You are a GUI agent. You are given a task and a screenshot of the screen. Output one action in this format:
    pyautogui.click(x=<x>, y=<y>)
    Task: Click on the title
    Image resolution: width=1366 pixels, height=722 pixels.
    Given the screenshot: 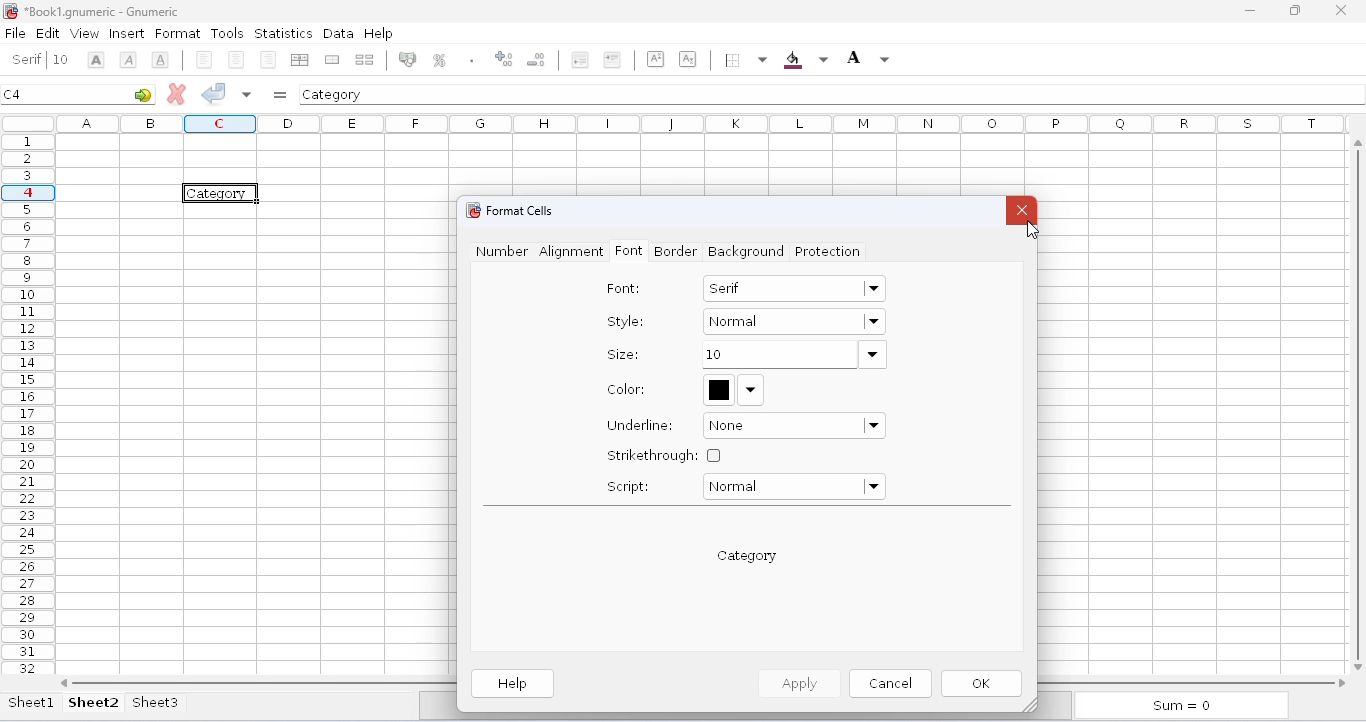 What is the action you would take?
    pyautogui.click(x=102, y=11)
    